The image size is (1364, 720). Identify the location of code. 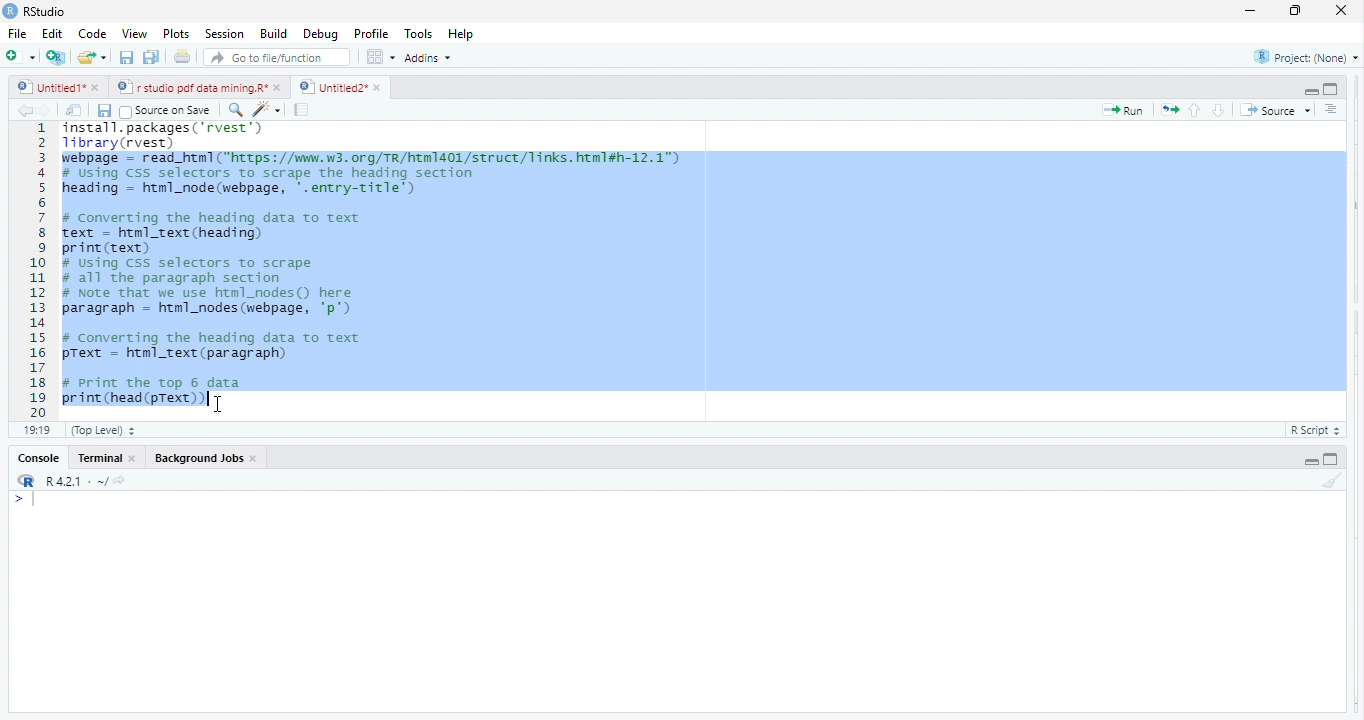
(93, 35).